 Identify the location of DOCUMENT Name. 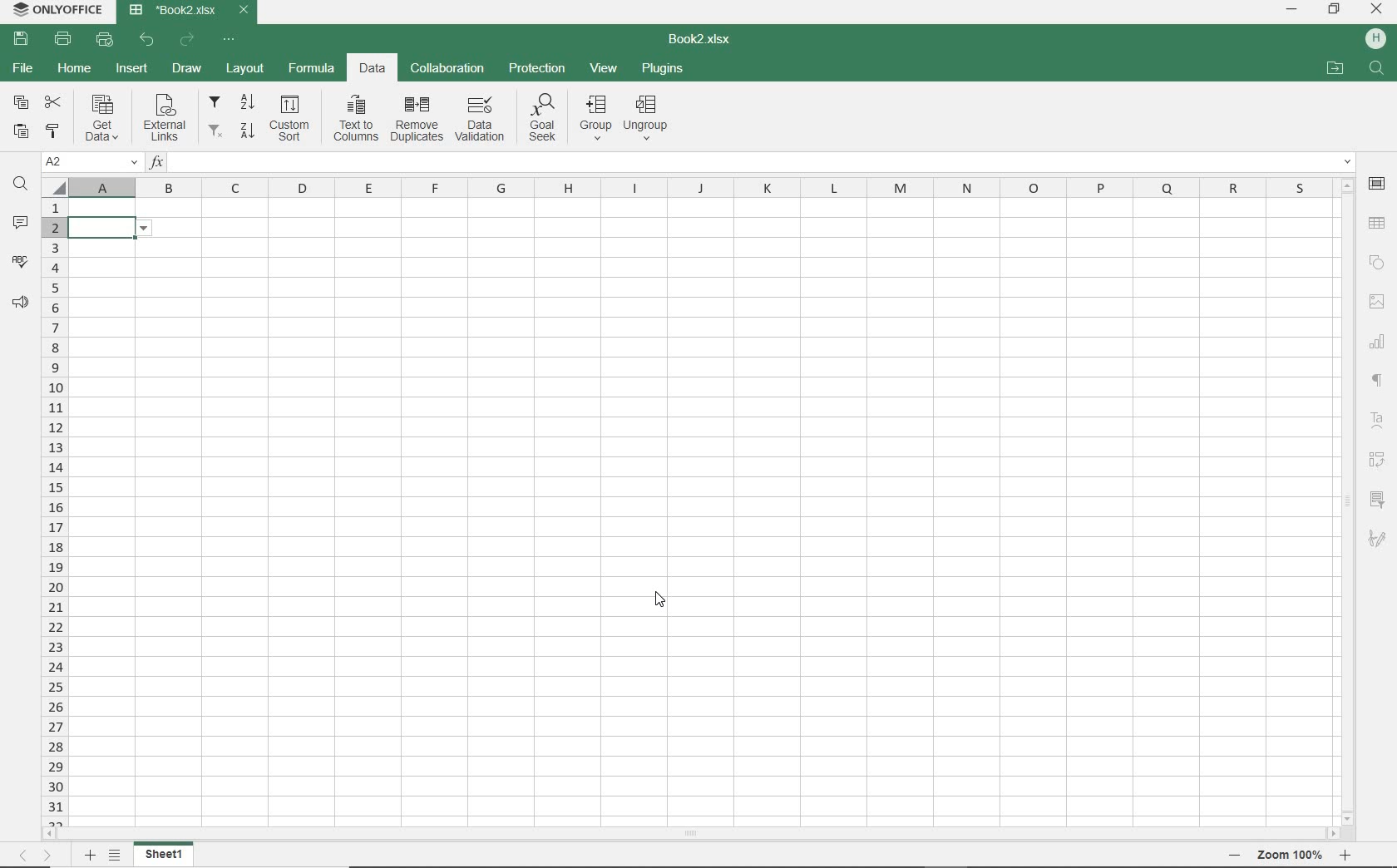
(173, 11).